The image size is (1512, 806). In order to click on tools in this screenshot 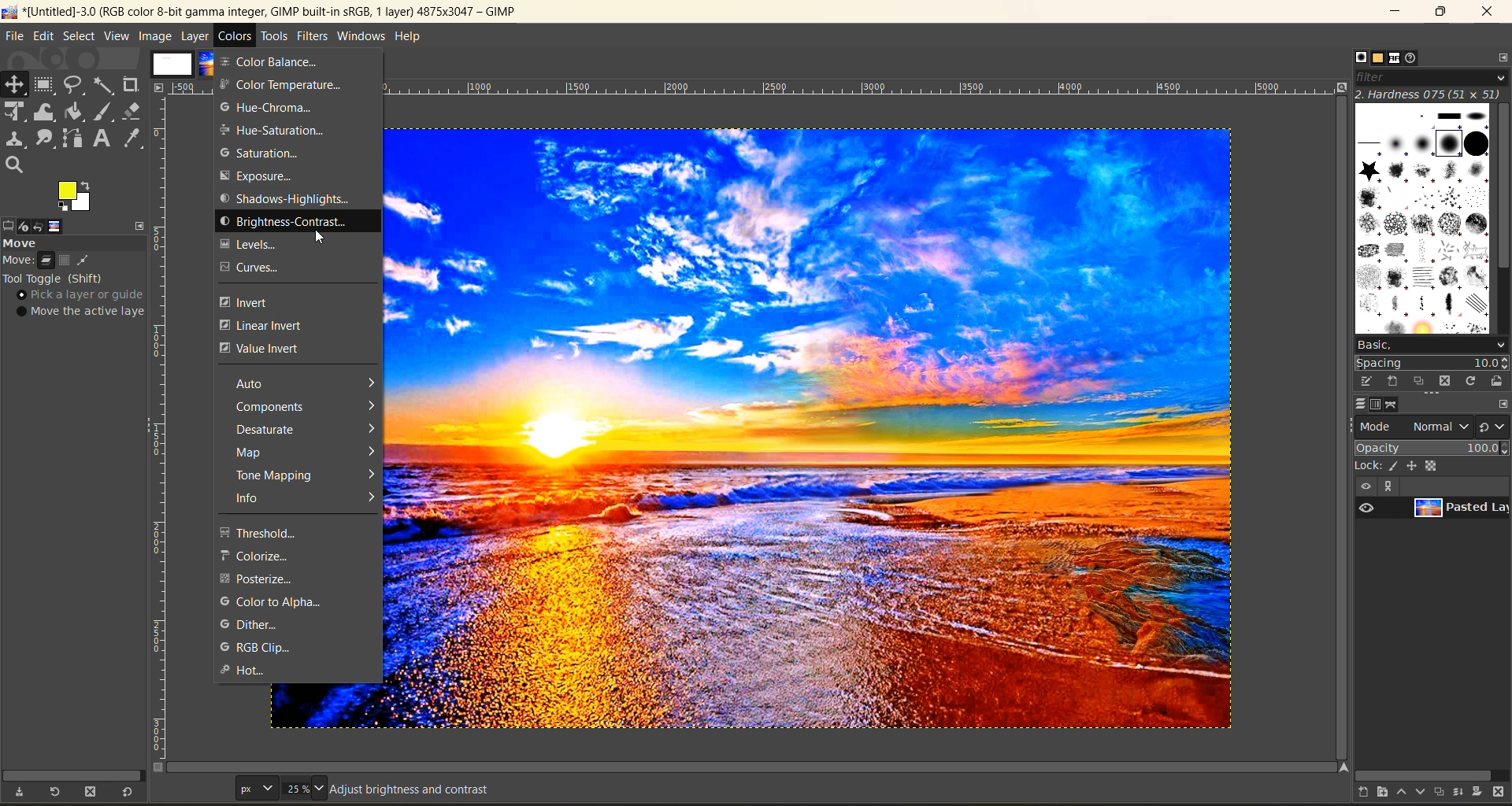, I will do `click(273, 38)`.